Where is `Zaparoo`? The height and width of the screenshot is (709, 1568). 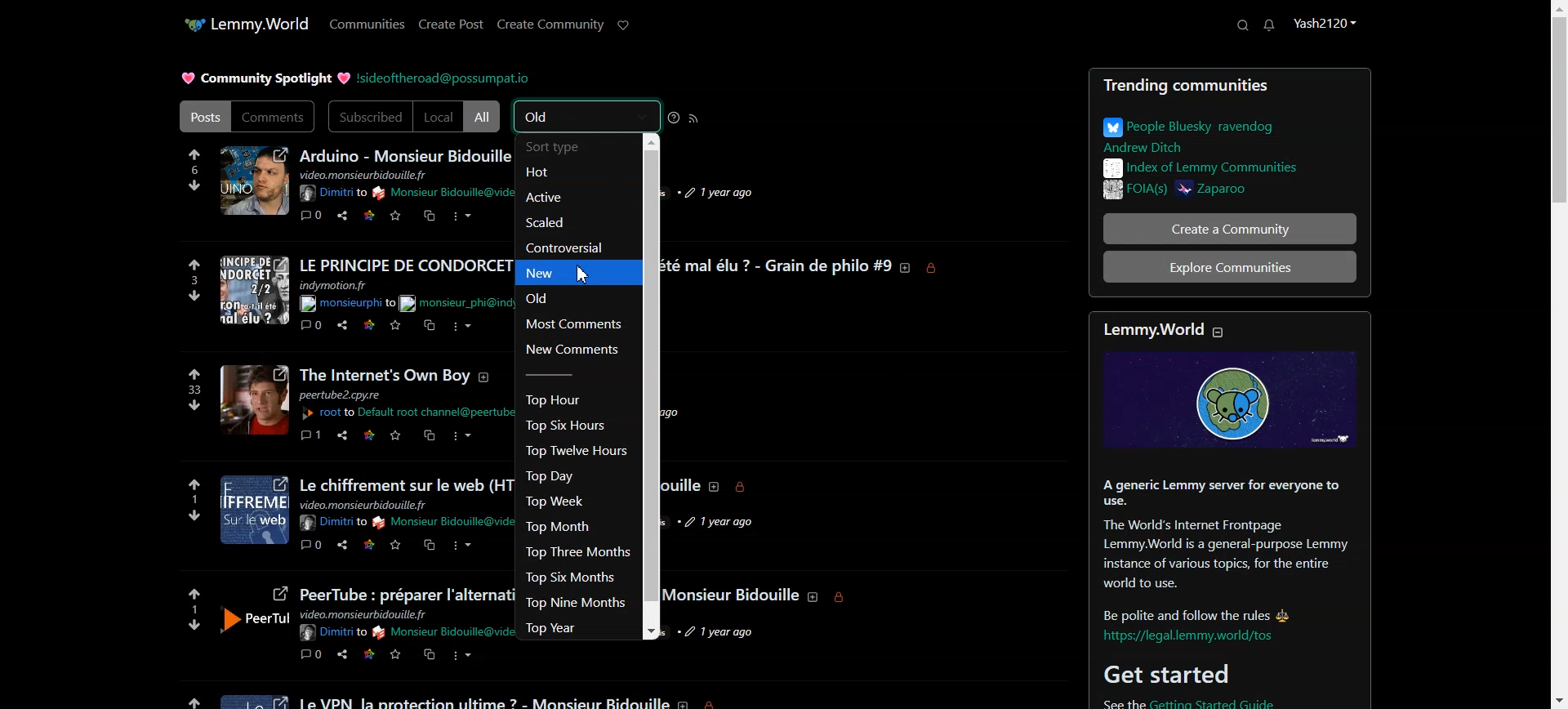
Zaparoo is located at coordinates (1263, 192).